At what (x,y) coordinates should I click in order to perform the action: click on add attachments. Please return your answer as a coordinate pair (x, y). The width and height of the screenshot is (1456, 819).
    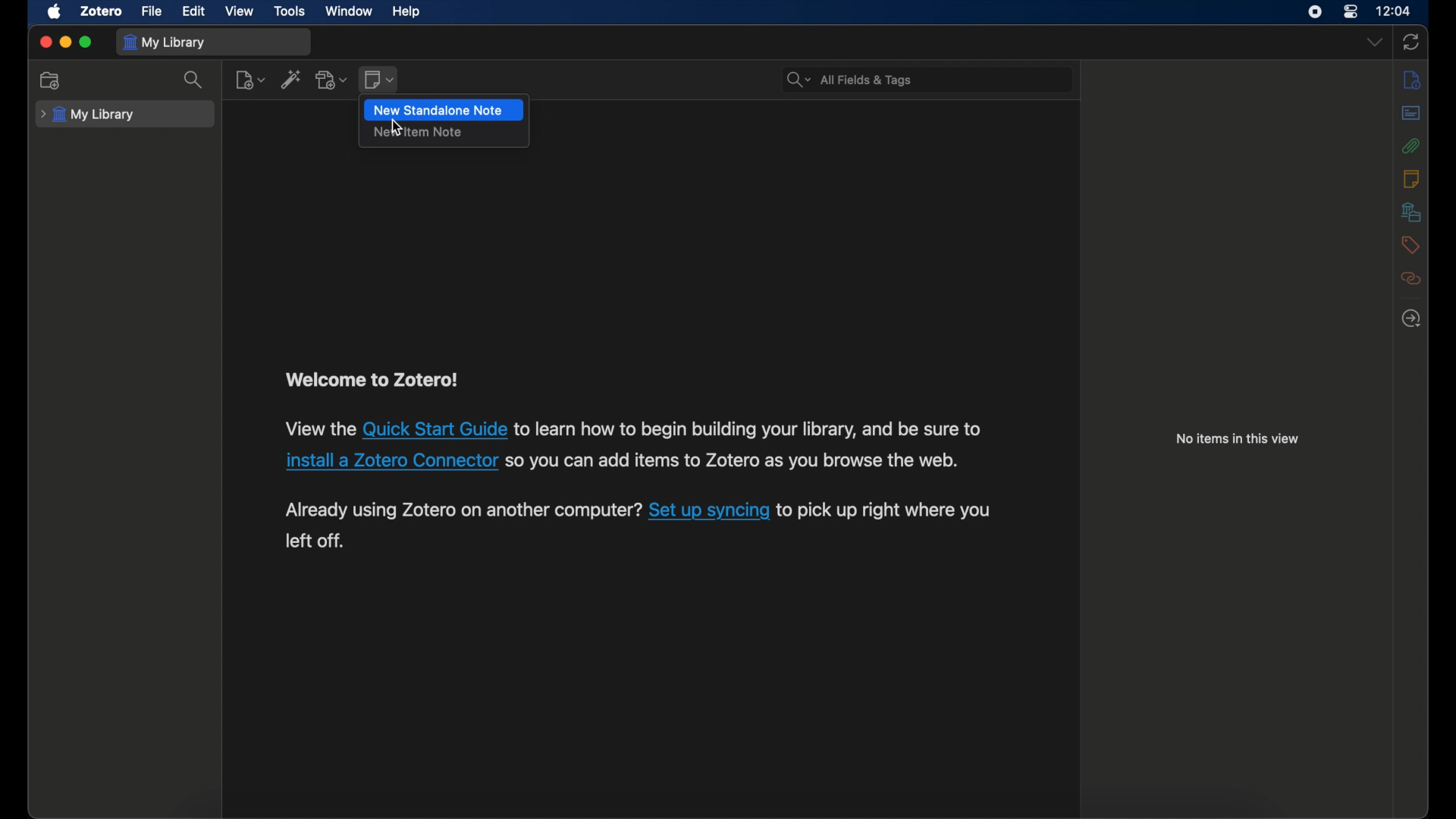
    Looking at the image, I should click on (333, 80).